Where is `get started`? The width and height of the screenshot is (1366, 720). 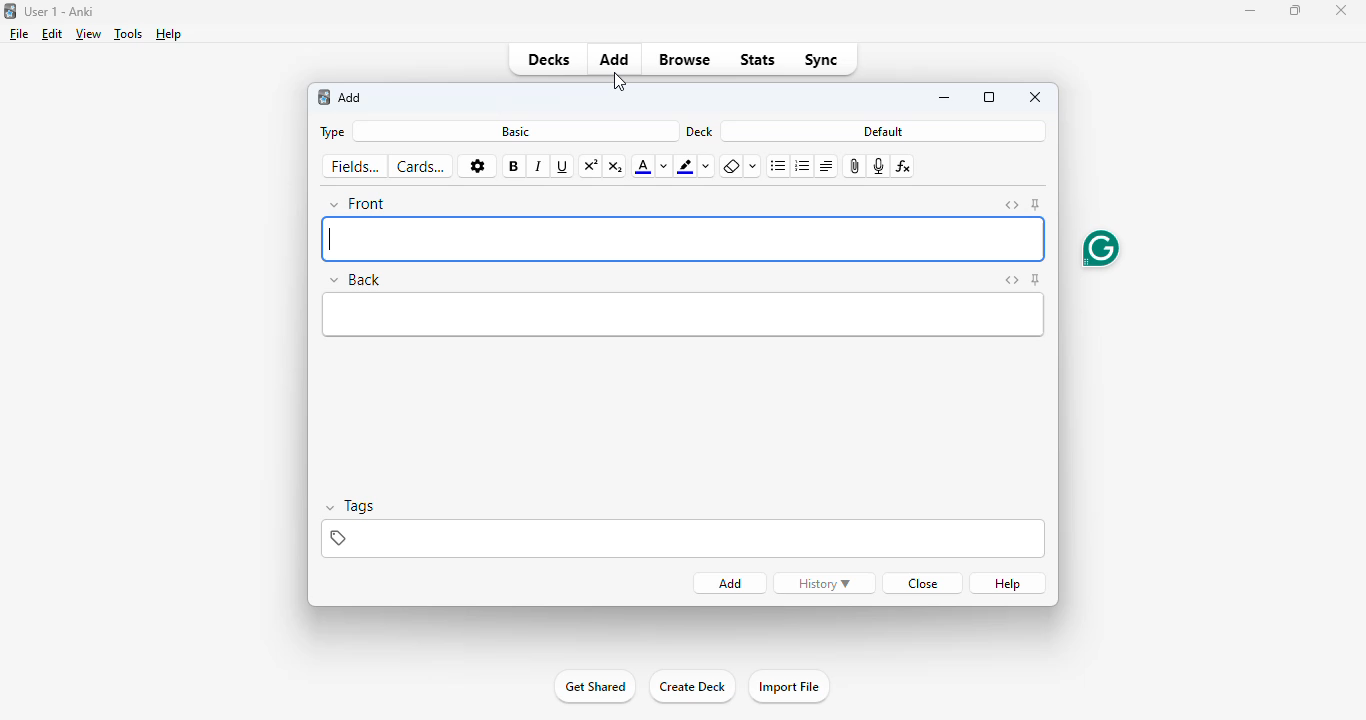
get started is located at coordinates (595, 686).